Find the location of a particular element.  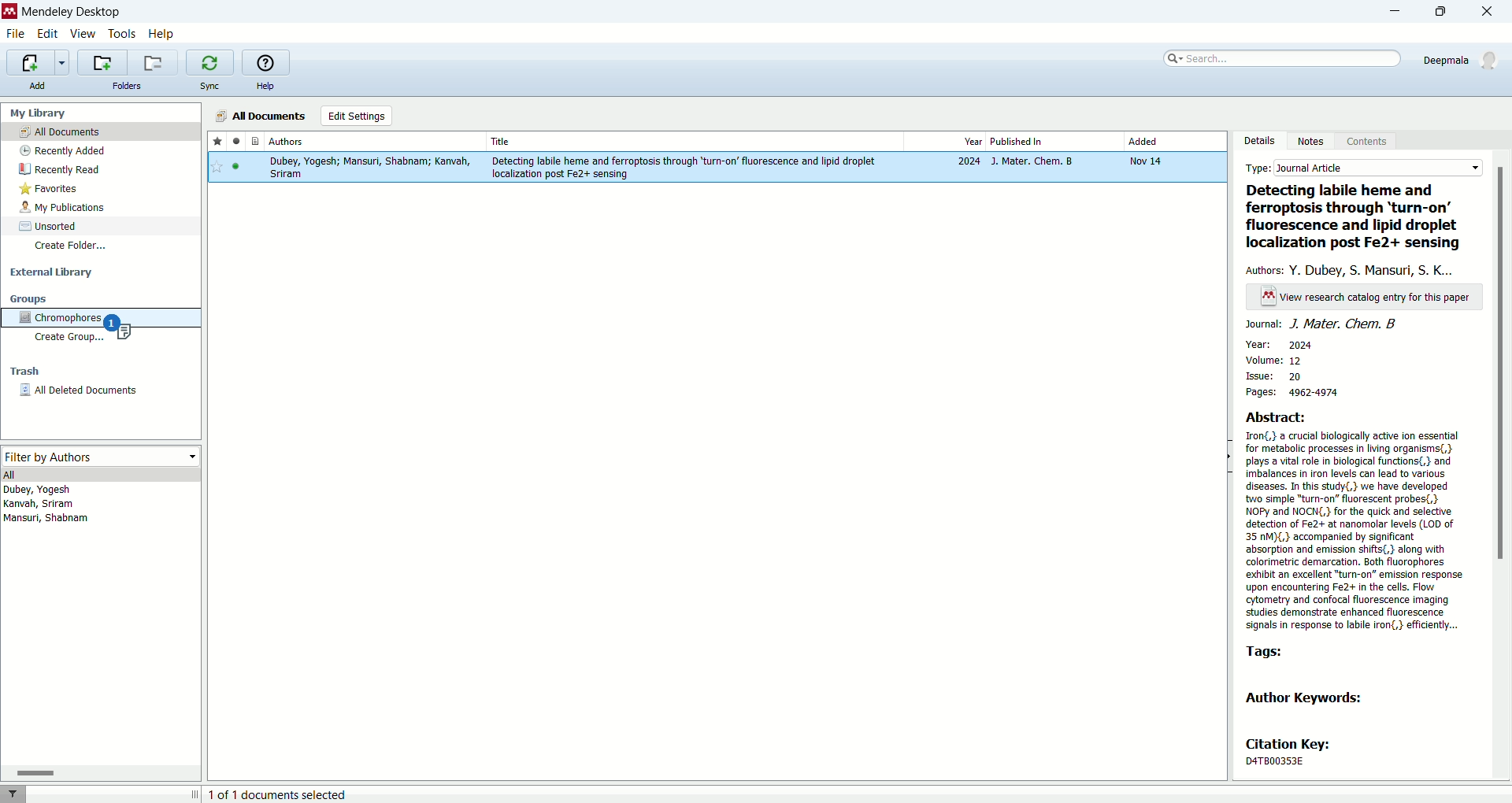

vertical scroll bar is located at coordinates (1503, 464).